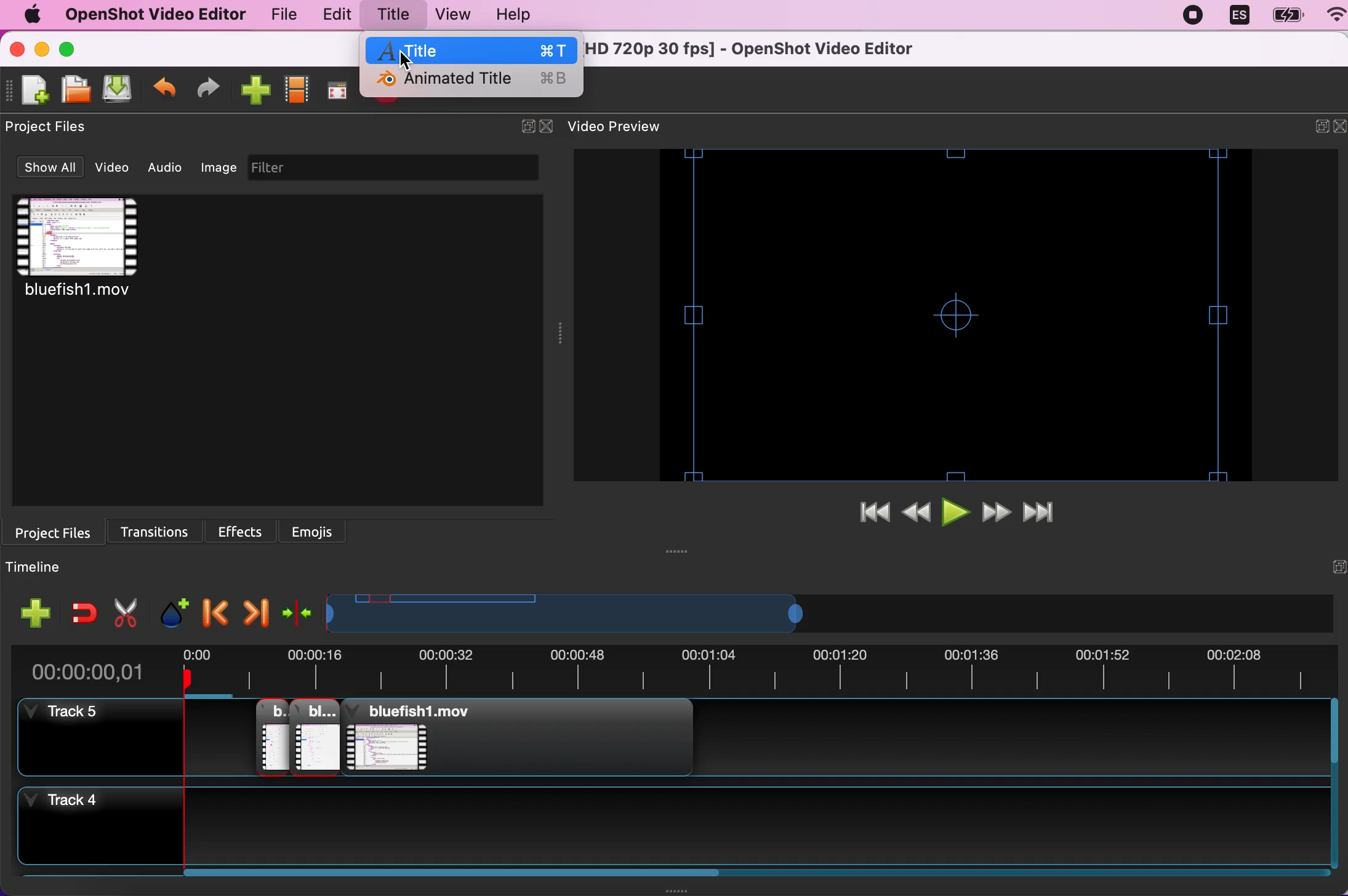  I want to click on audio, so click(169, 167).